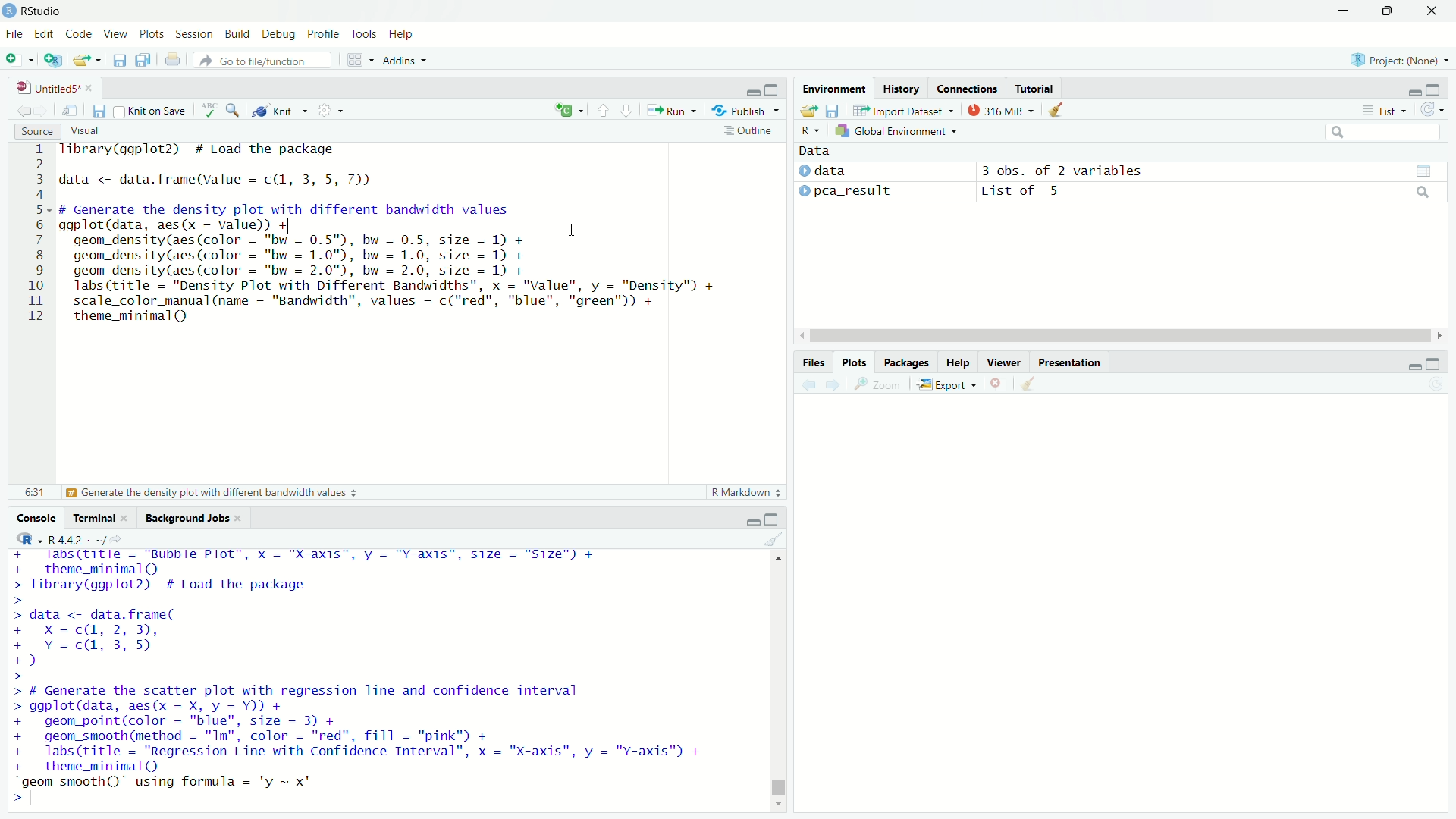  Describe the element at coordinates (187, 519) in the screenshot. I see `Background Jobs` at that location.